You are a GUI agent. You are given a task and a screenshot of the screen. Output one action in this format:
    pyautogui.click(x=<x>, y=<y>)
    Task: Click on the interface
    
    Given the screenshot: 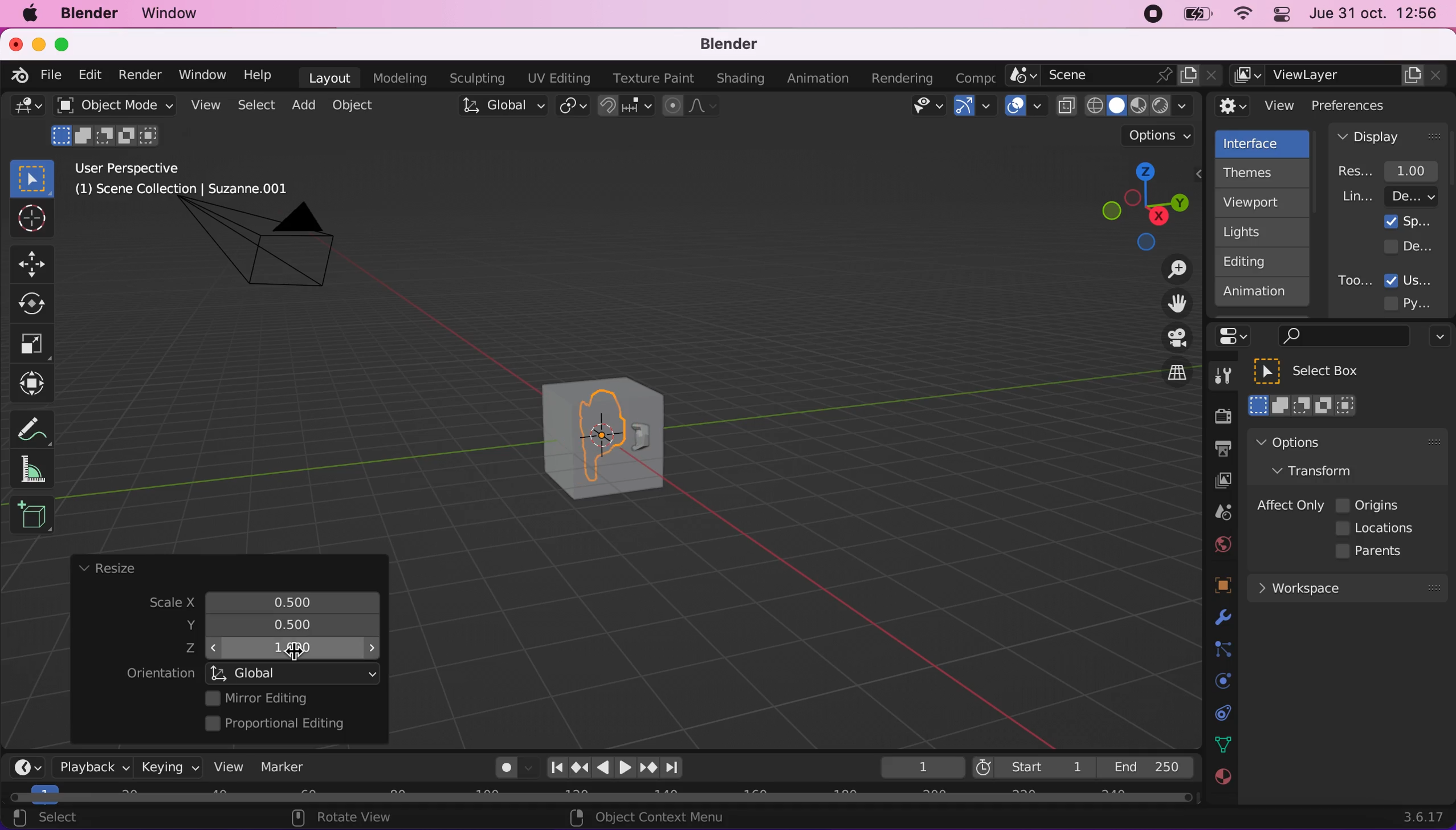 What is the action you would take?
    pyautogui.click(x=1264, y=142)
    